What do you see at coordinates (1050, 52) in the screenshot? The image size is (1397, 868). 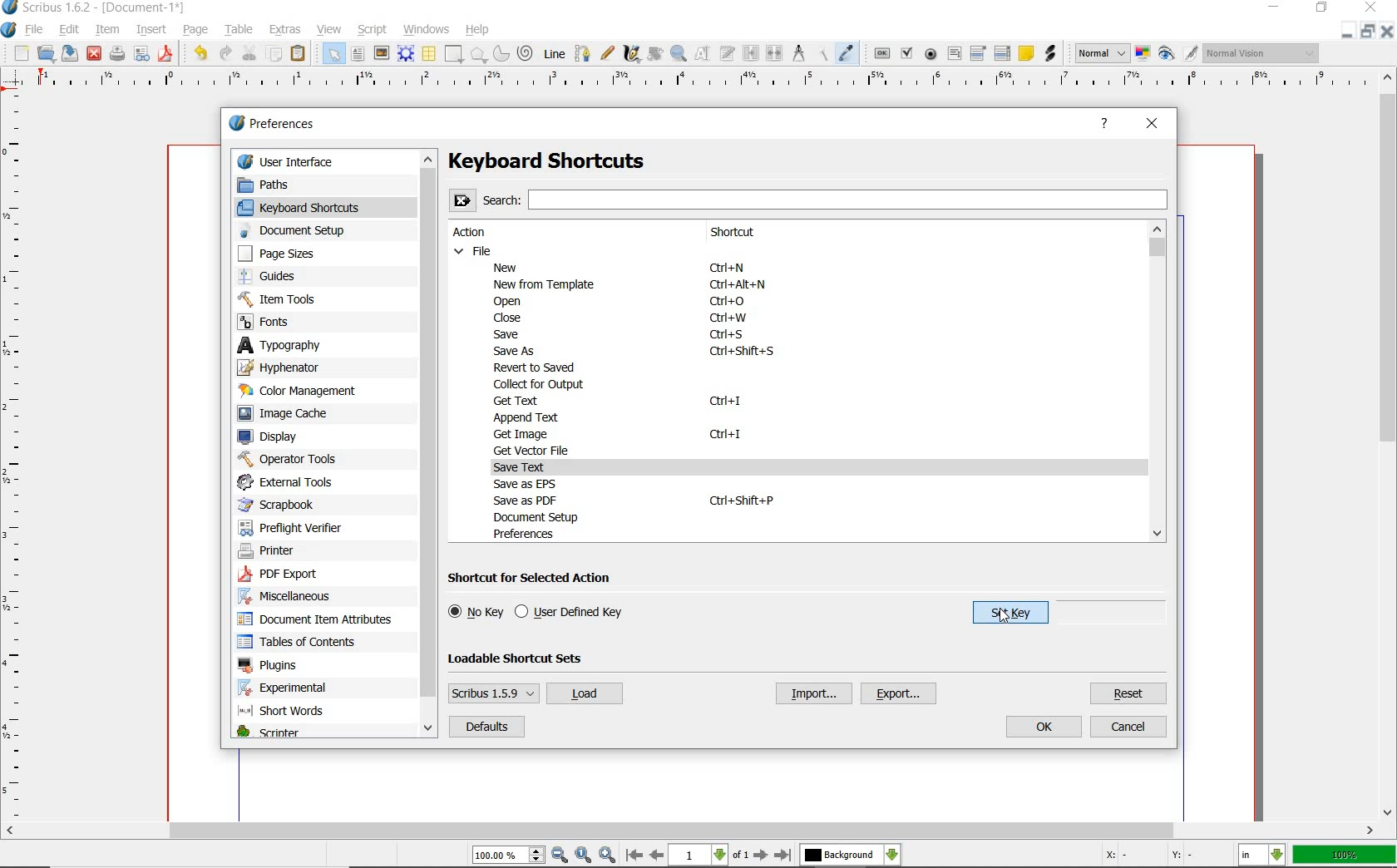 I see `link annotation` at bounding box center [1050, 52].